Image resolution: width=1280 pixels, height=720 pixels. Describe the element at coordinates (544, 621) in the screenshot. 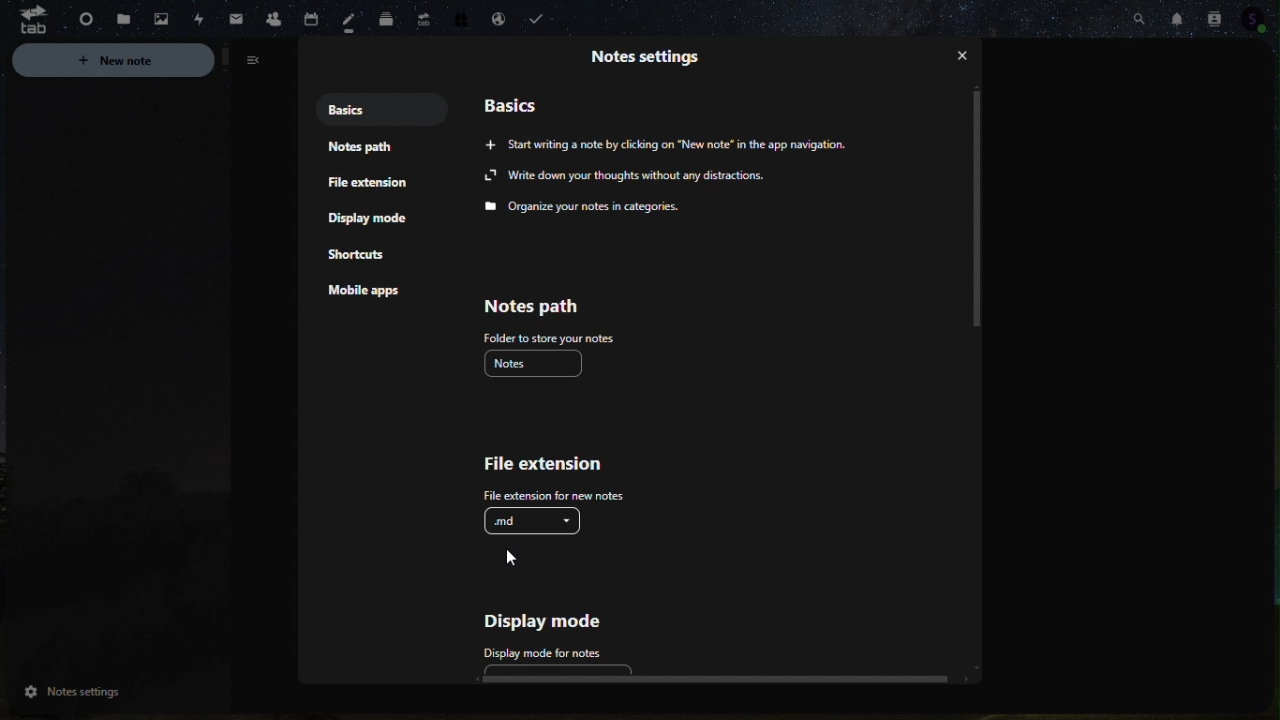

I see `Display mode` at that location.